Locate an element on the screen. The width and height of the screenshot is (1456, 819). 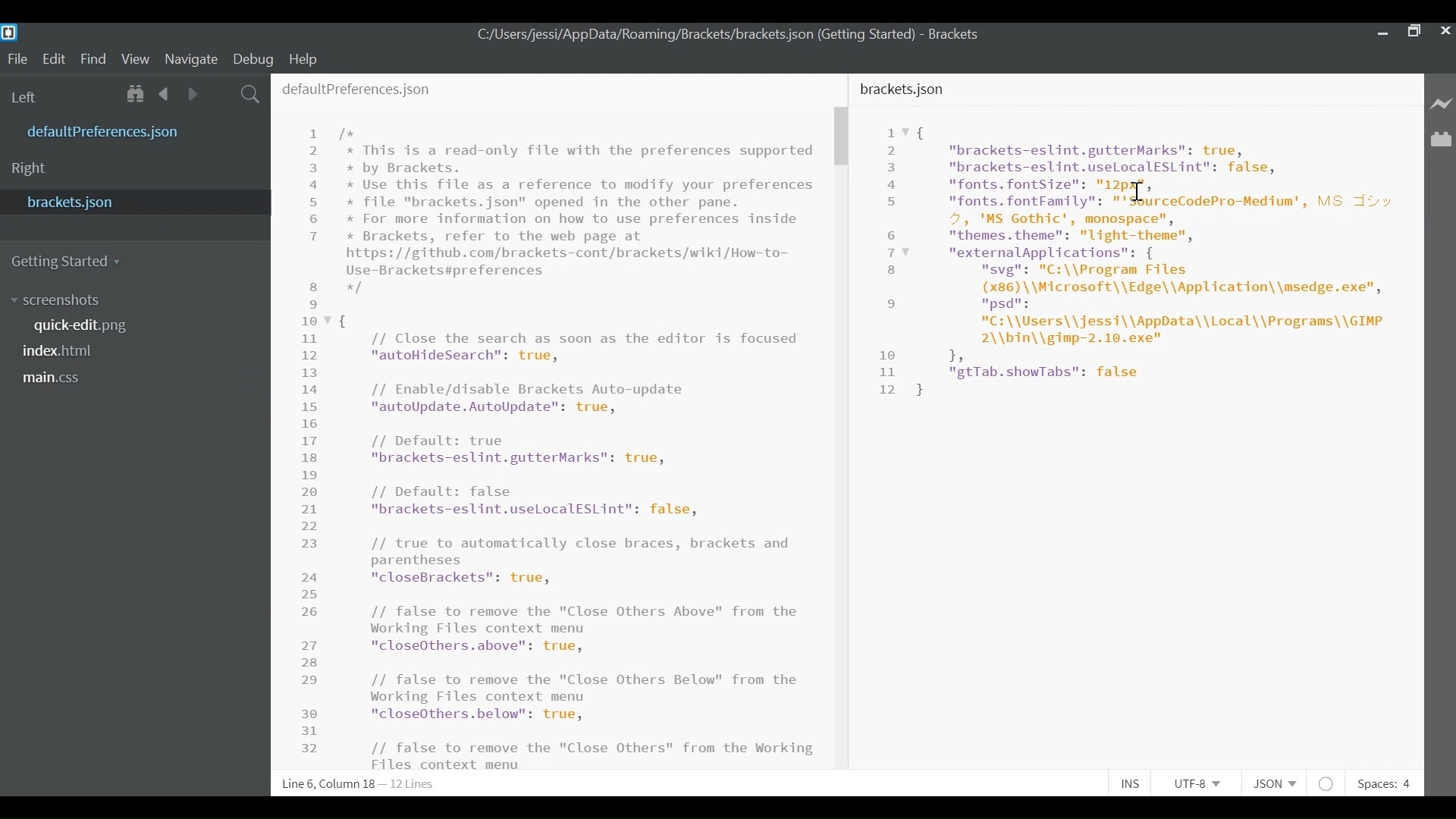
Help is located at coordinates (303, 58).